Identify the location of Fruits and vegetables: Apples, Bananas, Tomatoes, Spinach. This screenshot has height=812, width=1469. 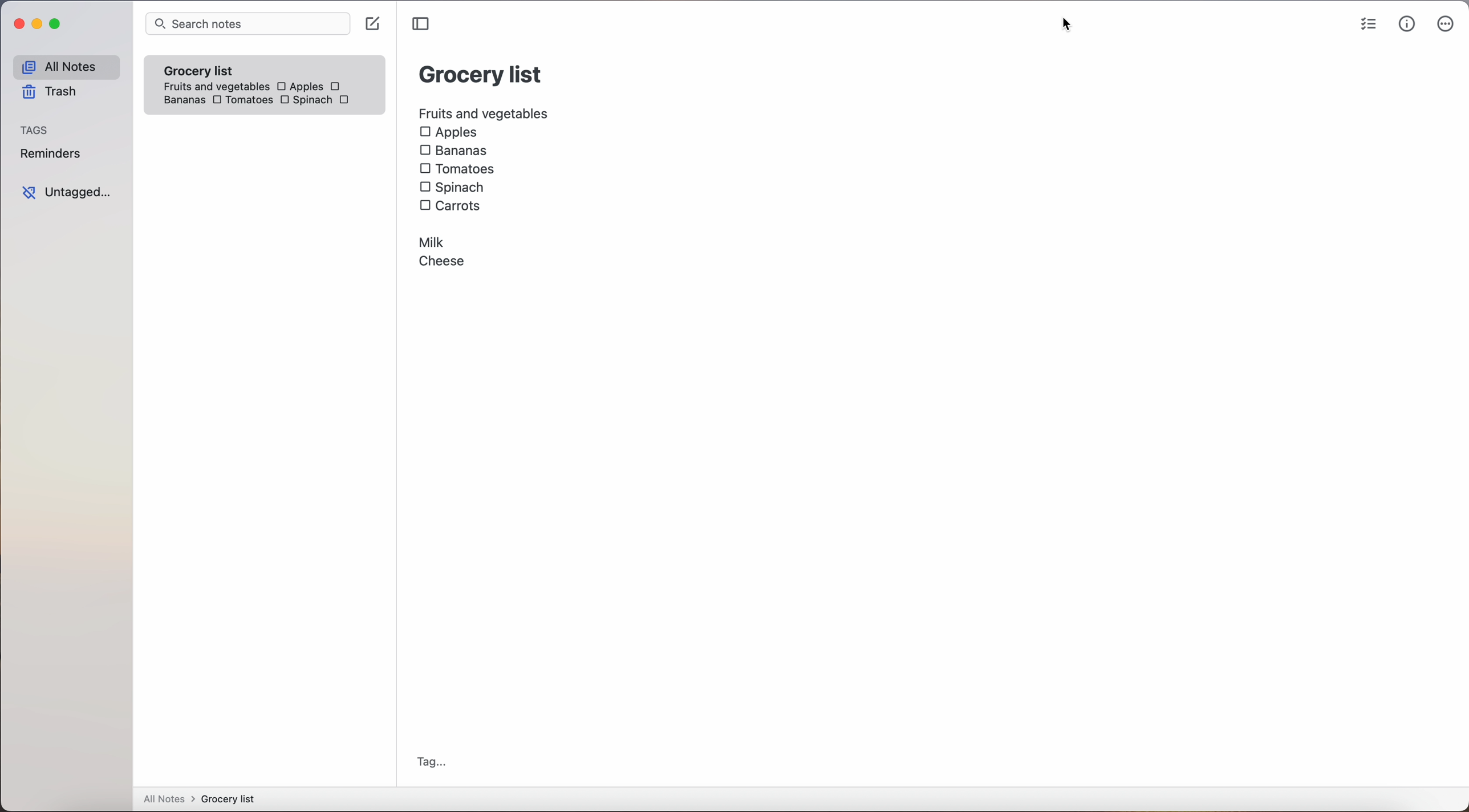
(268, 90).